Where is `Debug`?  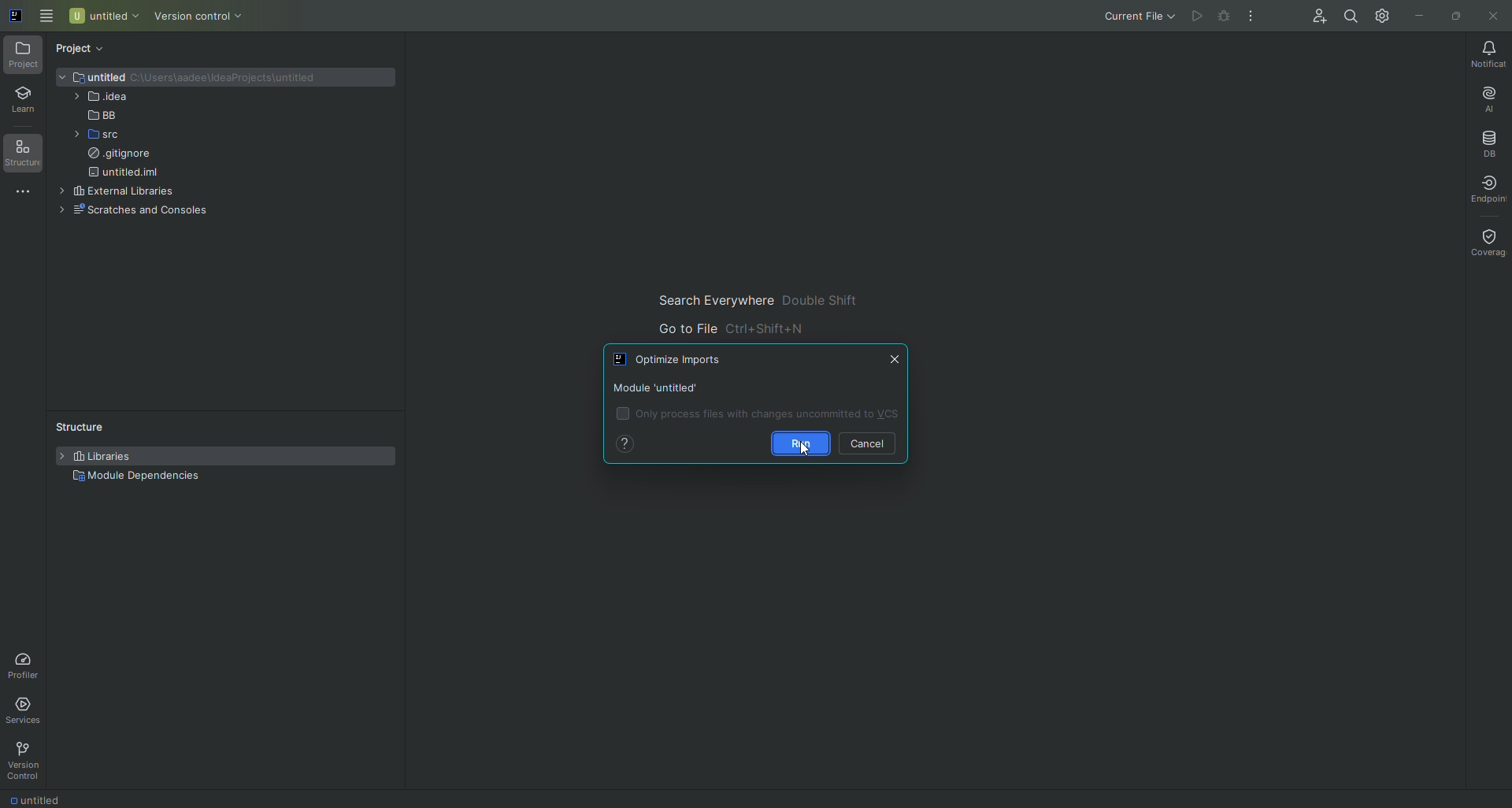
Debug is located at coordinates (1221, 16).